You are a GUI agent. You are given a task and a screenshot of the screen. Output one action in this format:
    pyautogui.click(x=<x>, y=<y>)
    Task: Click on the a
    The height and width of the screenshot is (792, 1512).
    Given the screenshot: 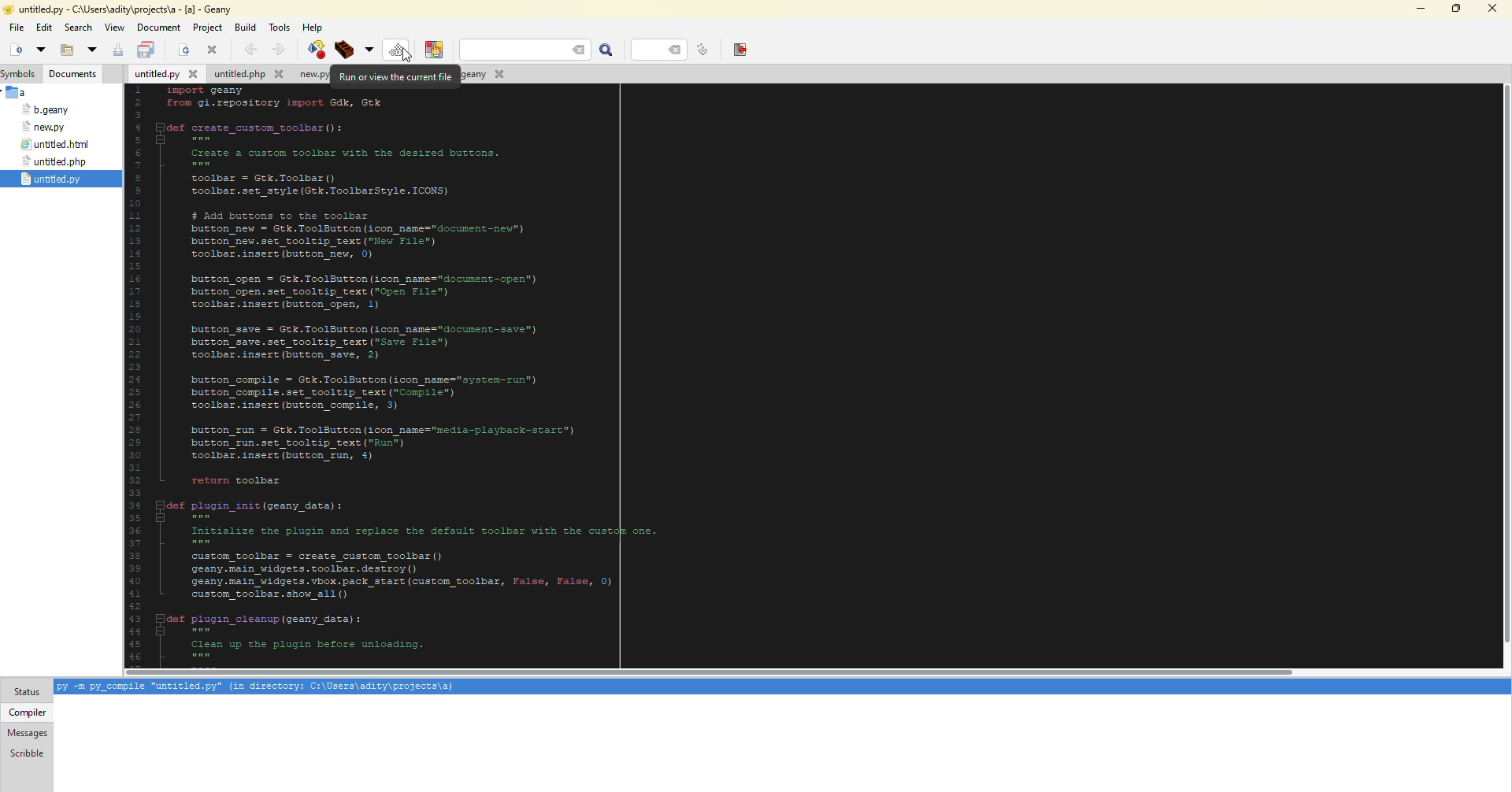 What is the action you would take?
    pyautogui.click(x=20, y=91)
    